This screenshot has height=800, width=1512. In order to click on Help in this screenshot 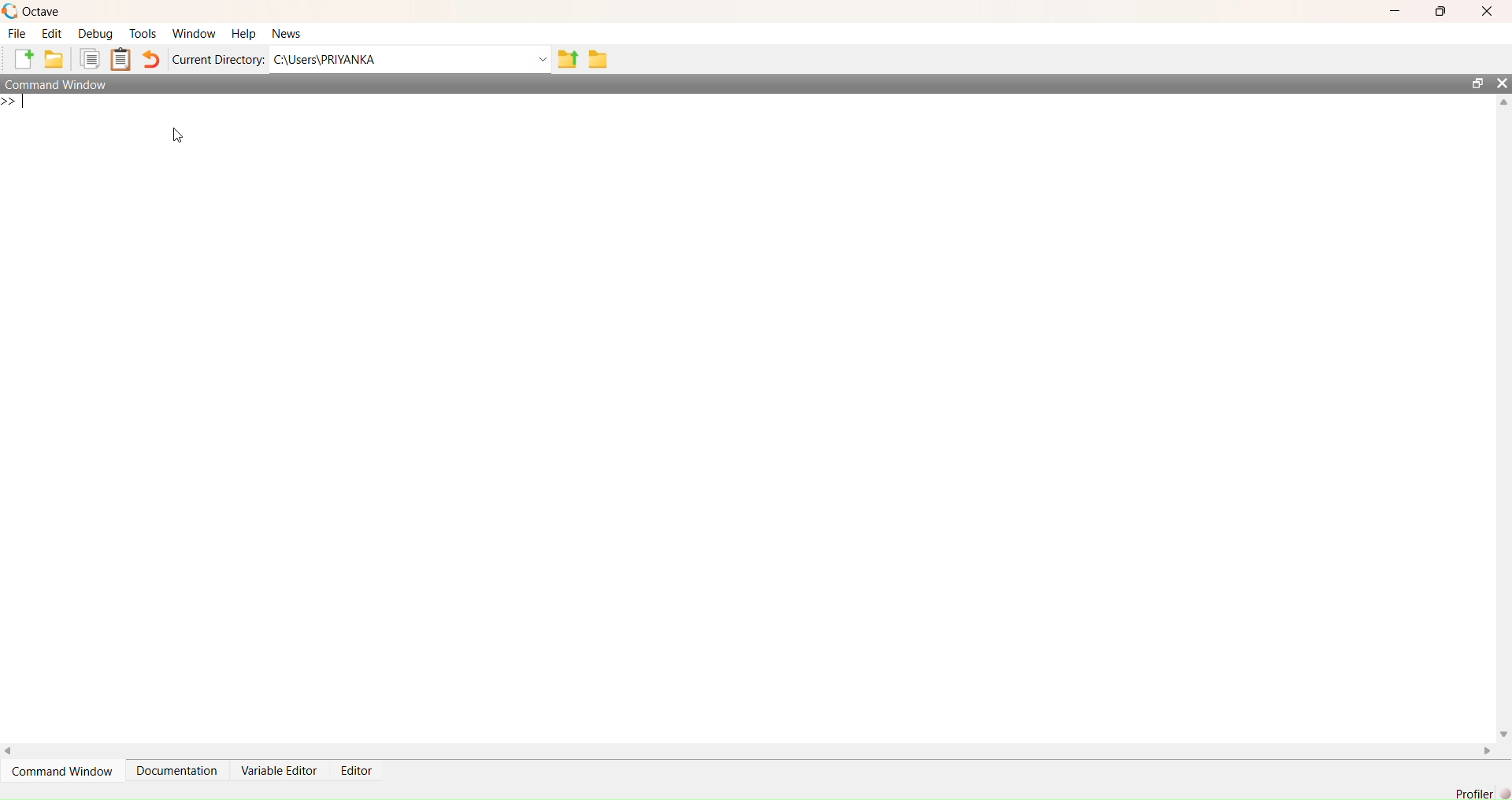, I will do `click(243, 30)`.